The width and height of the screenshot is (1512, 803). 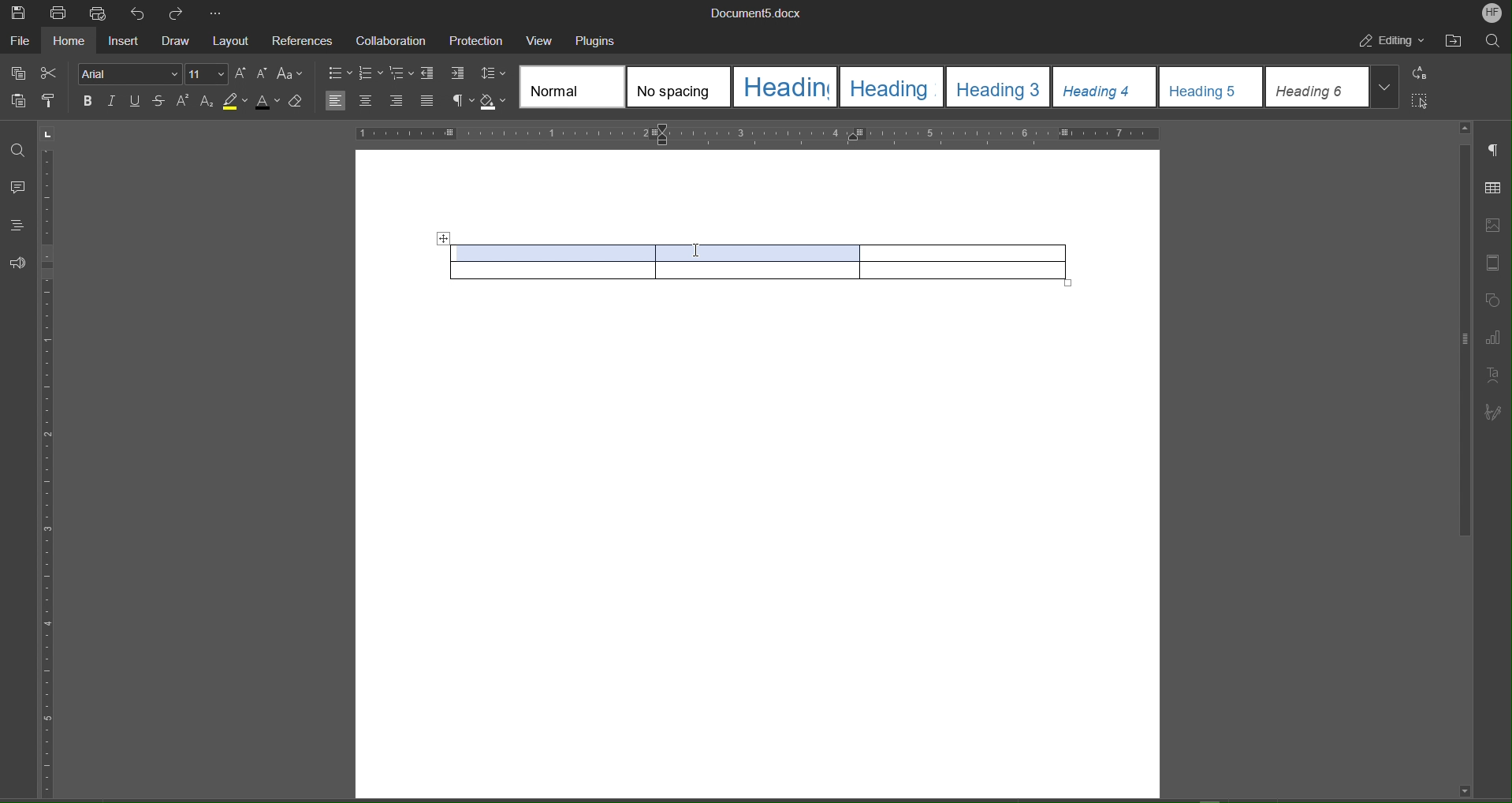 What do you see at coordinates (112, 102) in the screenshot?
I see `Italic` at bounding box center [112, 102].